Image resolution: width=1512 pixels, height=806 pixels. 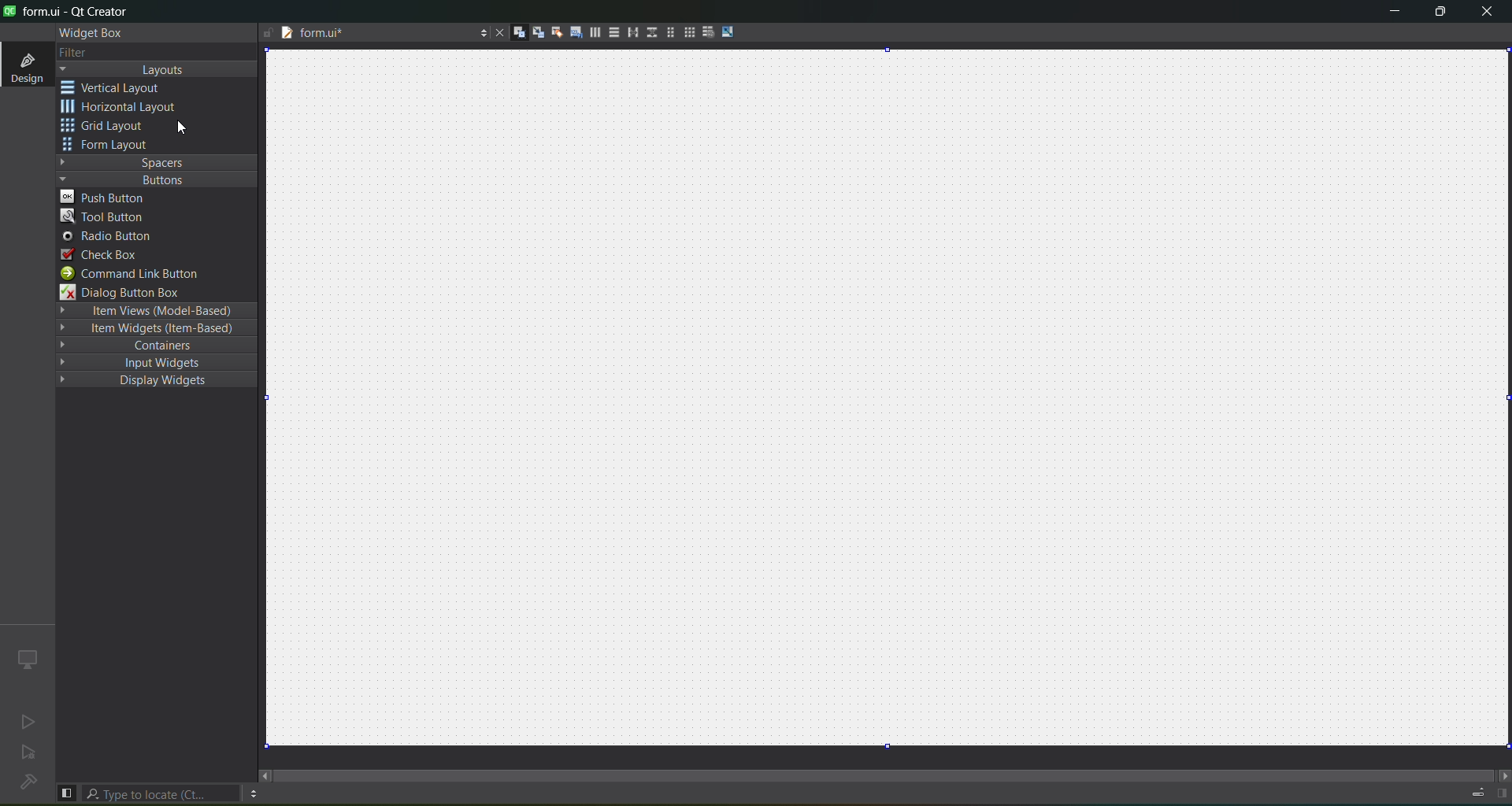 What do you see at coordinates (124, 109) in the screenshot?
I see `horizontal layout` at bounding box center [124, 109].